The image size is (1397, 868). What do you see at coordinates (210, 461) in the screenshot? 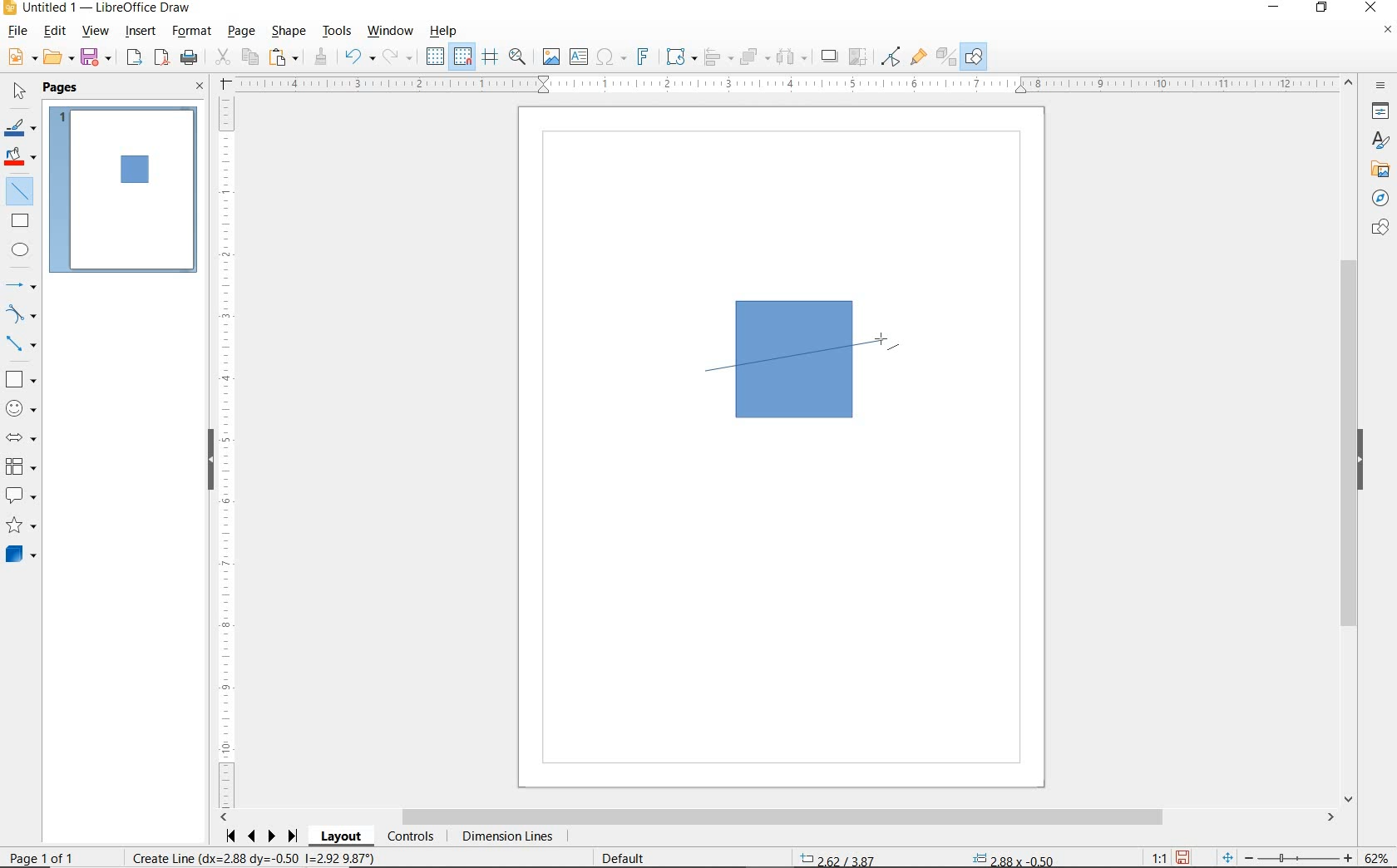
I see `HIDE` at bounding box center [210, 461].